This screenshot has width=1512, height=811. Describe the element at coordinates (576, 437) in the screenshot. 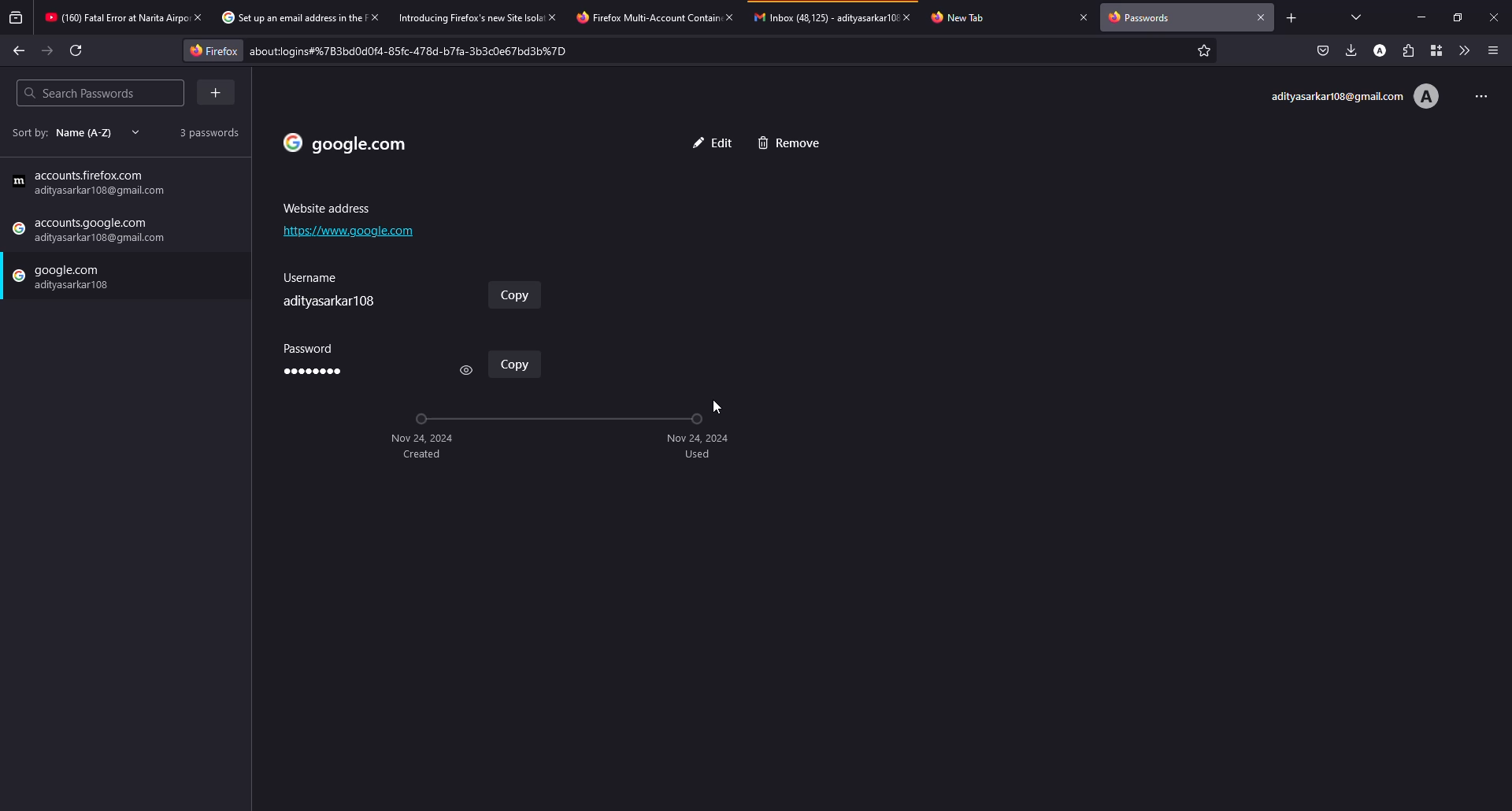

I see `timeline` at that location.